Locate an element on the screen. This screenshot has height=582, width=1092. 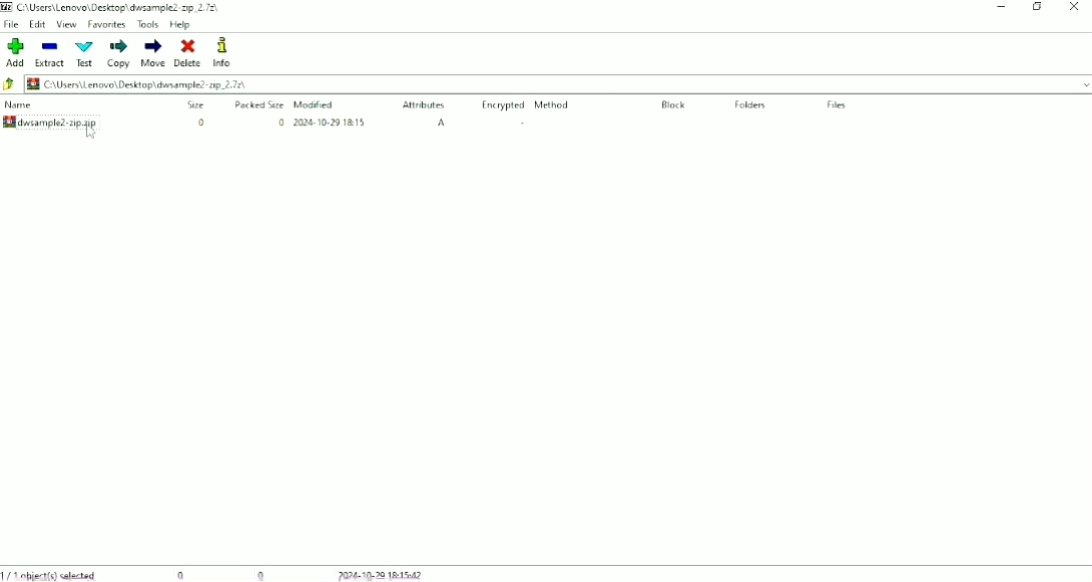
Logo is located at coordinates (7, 7).